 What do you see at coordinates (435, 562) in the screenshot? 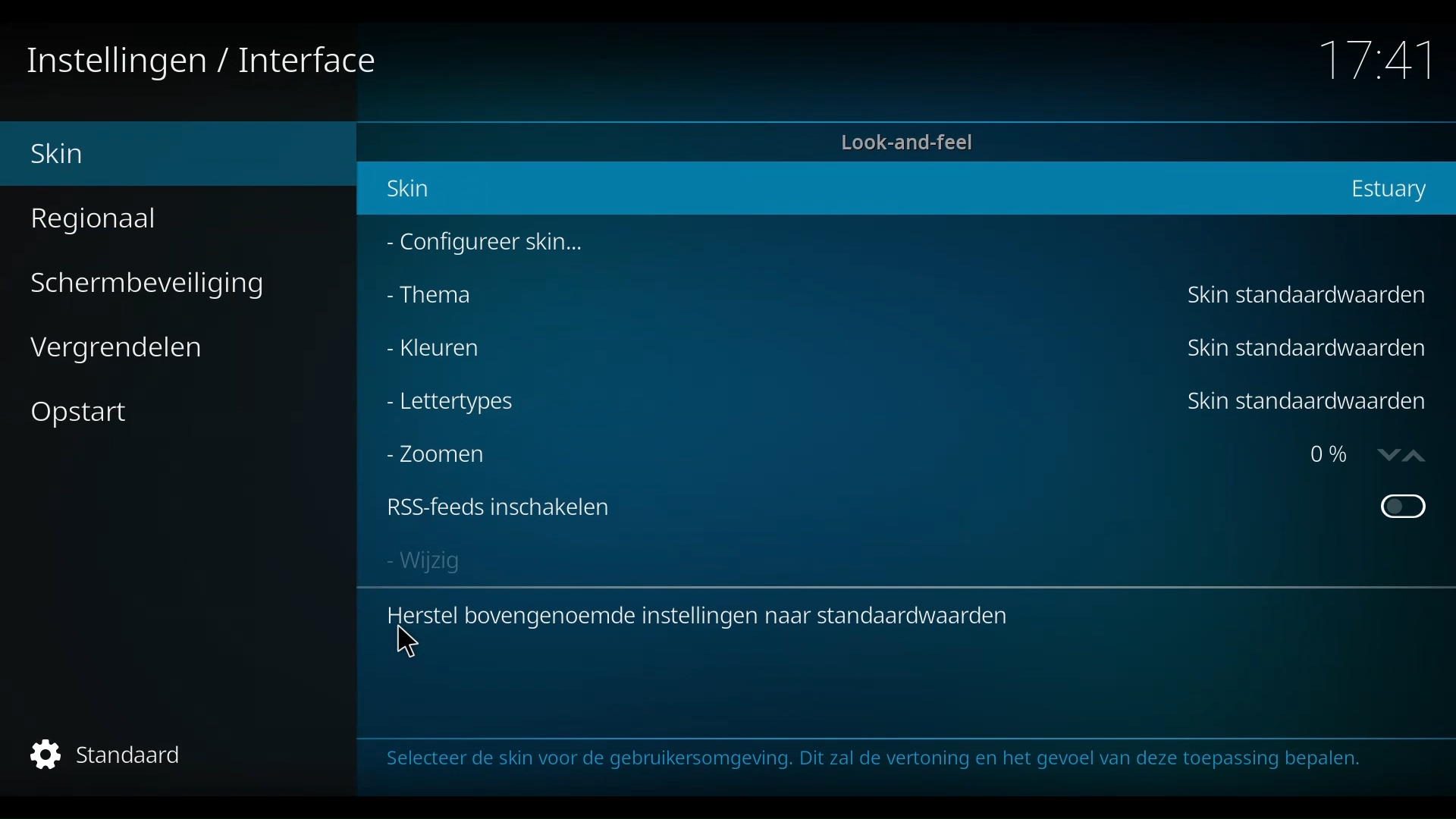
I see `Wijzig` at bounding box center [435, 562].